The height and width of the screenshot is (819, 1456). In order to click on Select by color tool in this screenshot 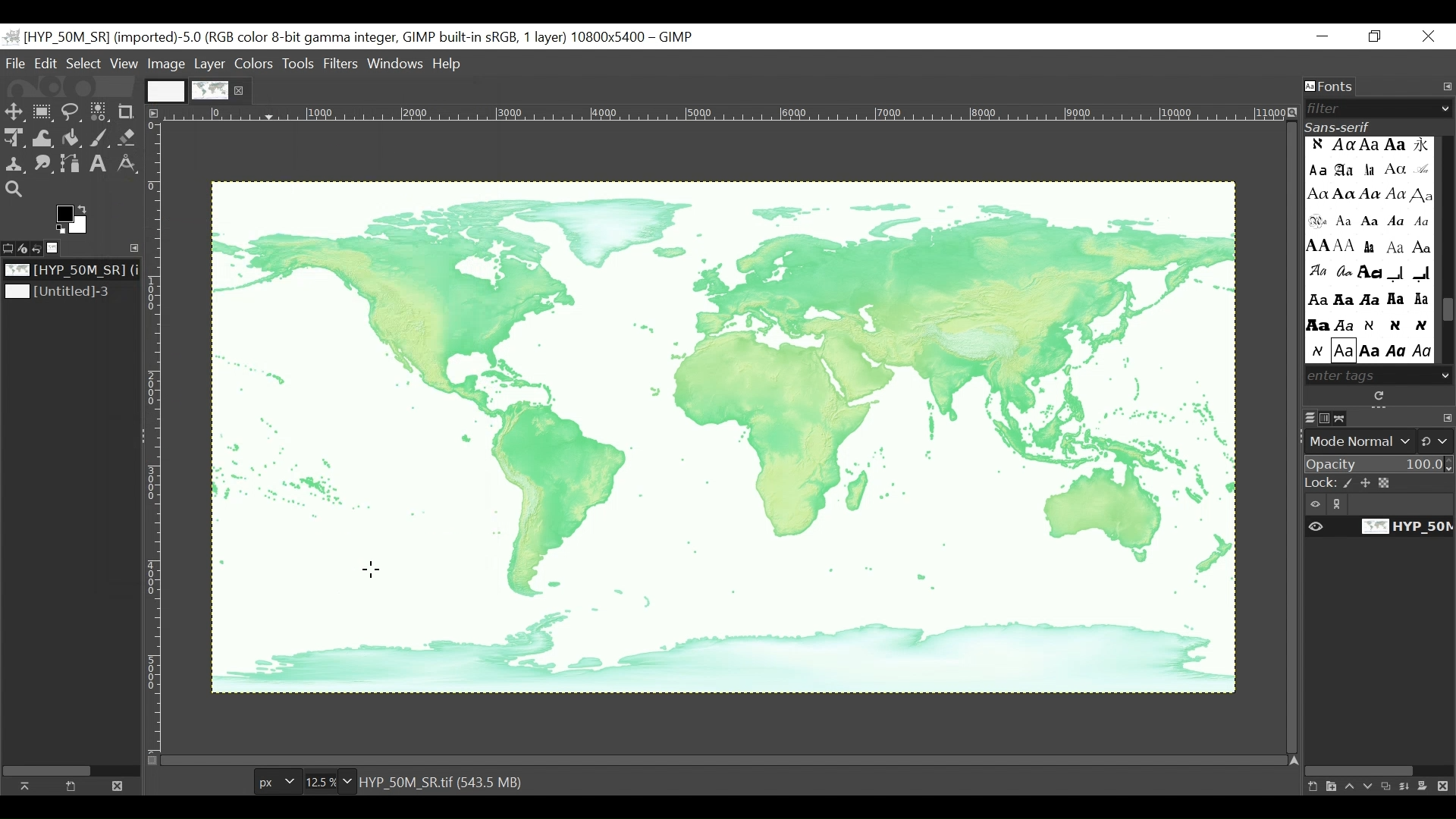, I will do `click(99, 114)`.